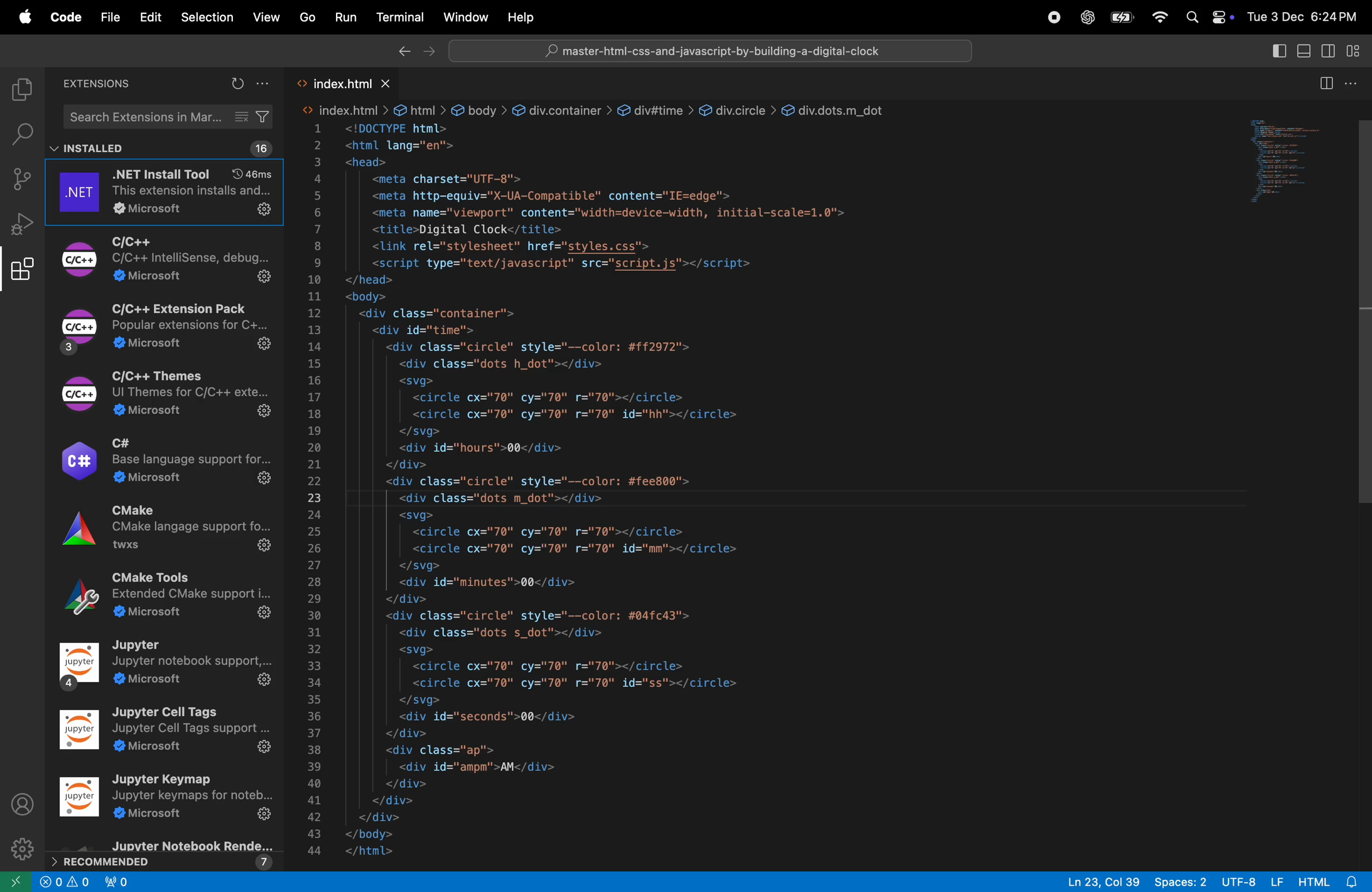 The width and height of the screenshot is (1372, 892). Describe the element at coordinates (14, 881) in the screenshot. I see `new window` at that location.